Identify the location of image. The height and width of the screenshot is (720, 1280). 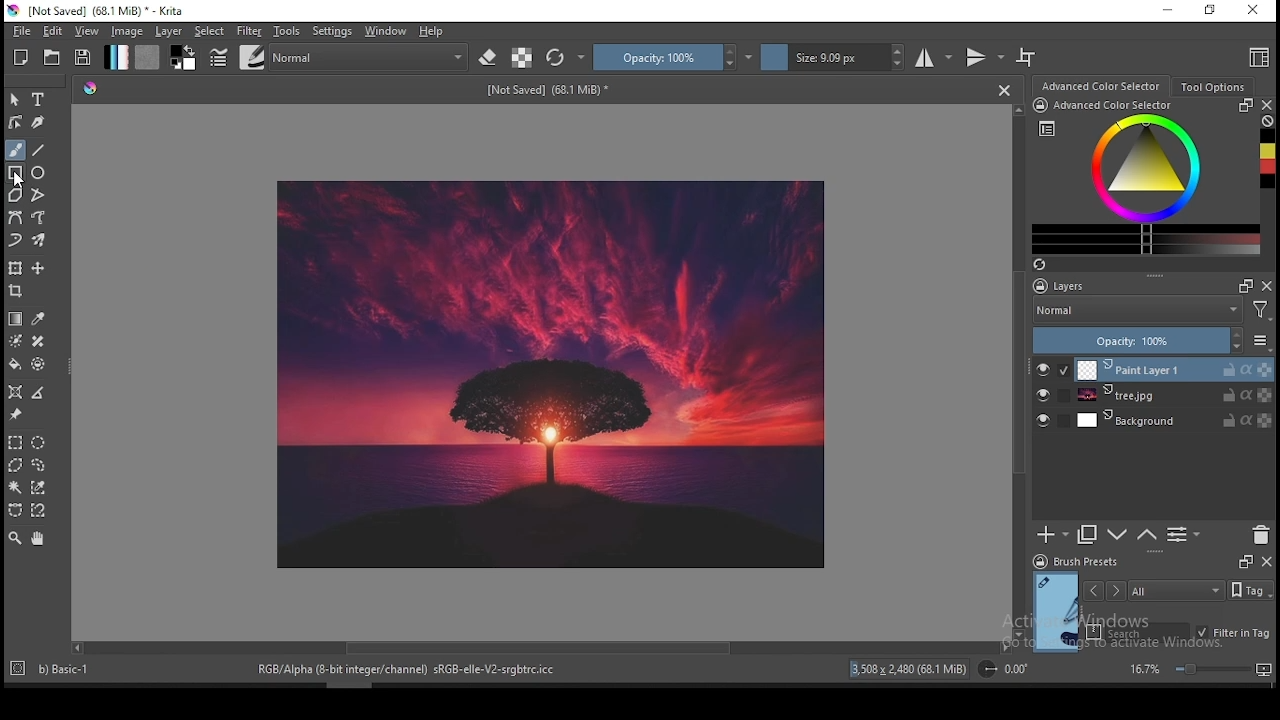
(129, 32).